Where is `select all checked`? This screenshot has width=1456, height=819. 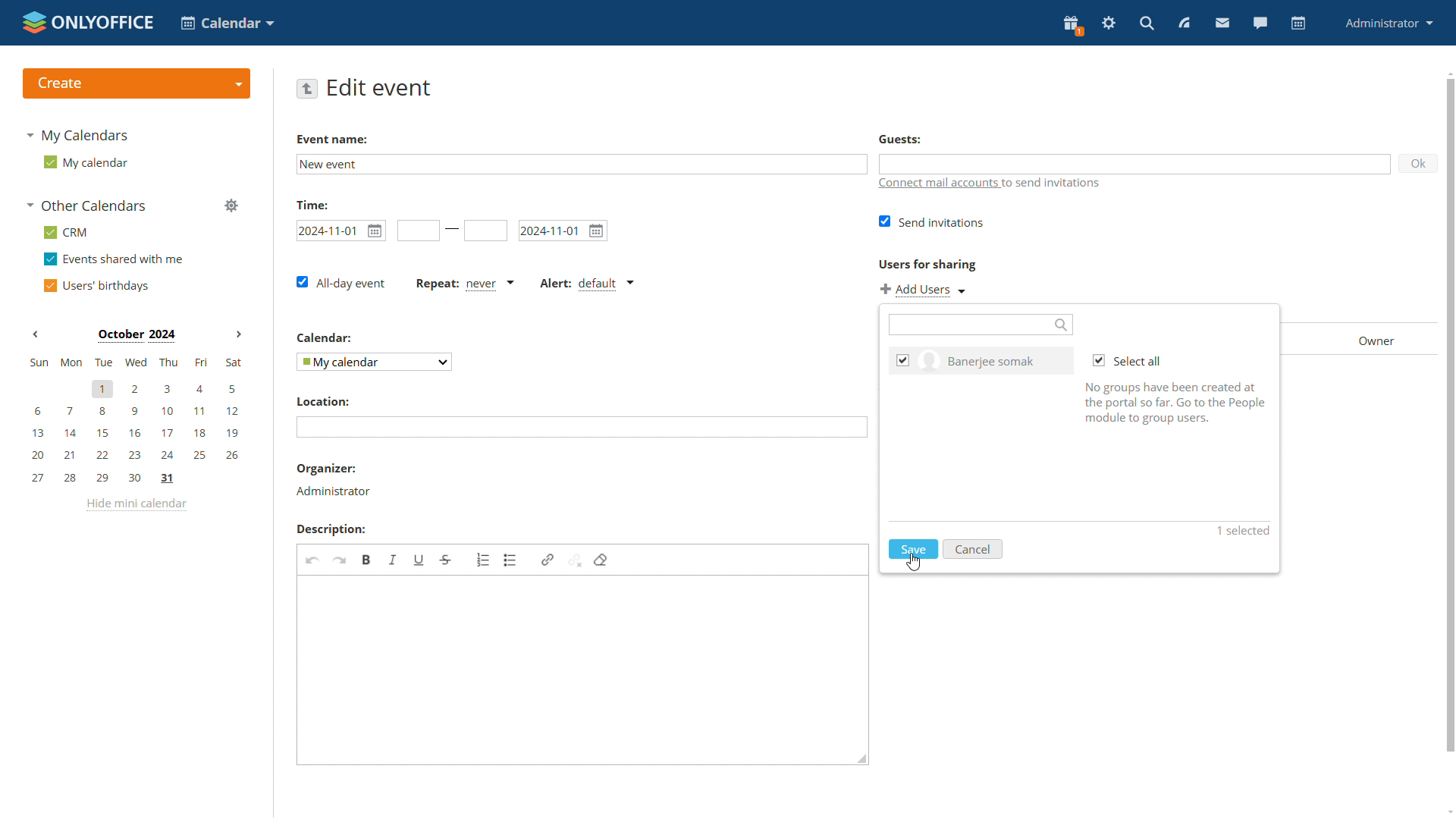 select all checked is located at coordinates (1126, 361).